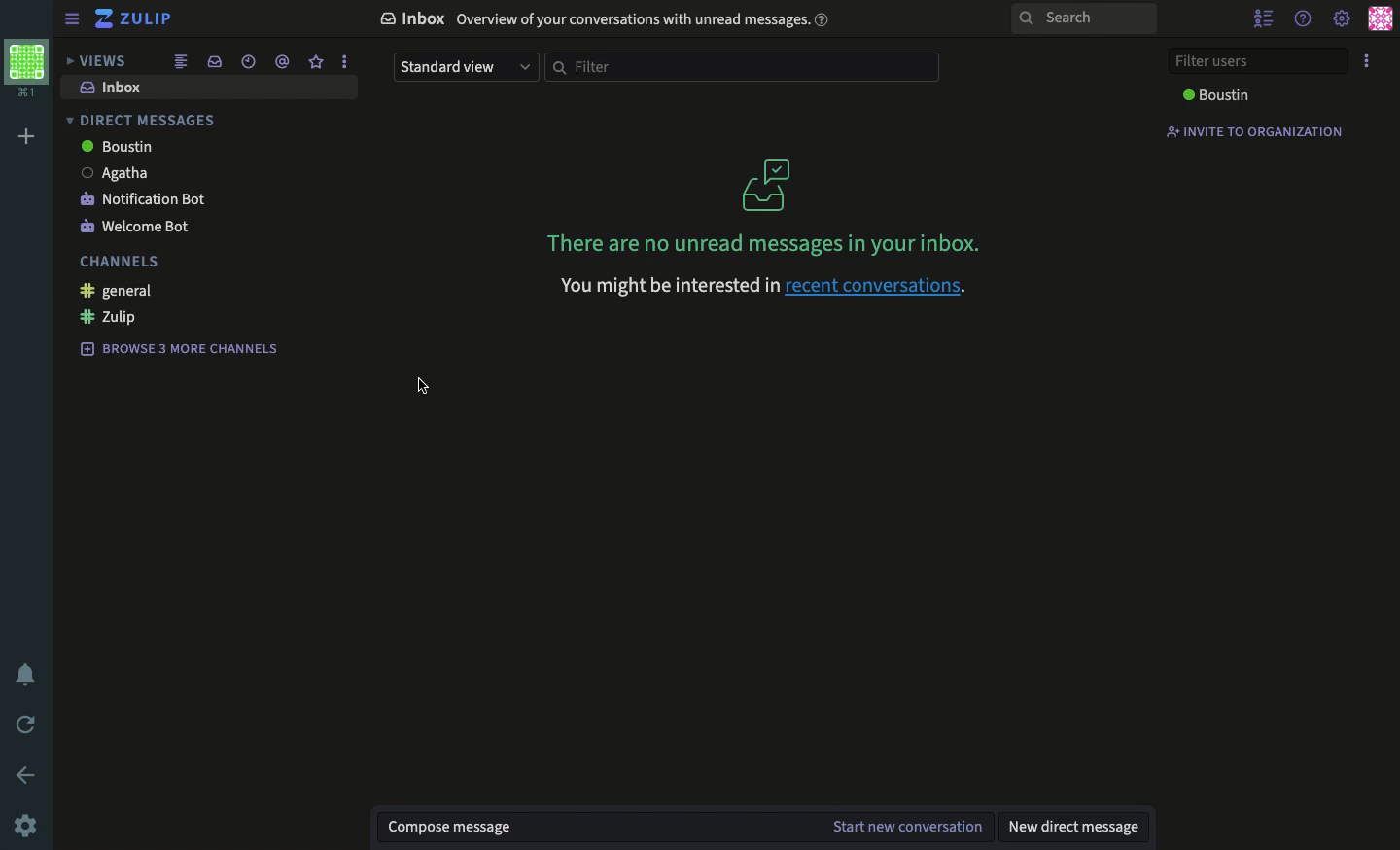 The height and width of the screenshot is (850, 1400). What do you see at coordinates (133, 229) in the screenshot?
I see `welcome bot` at bounding box center [133, 229].